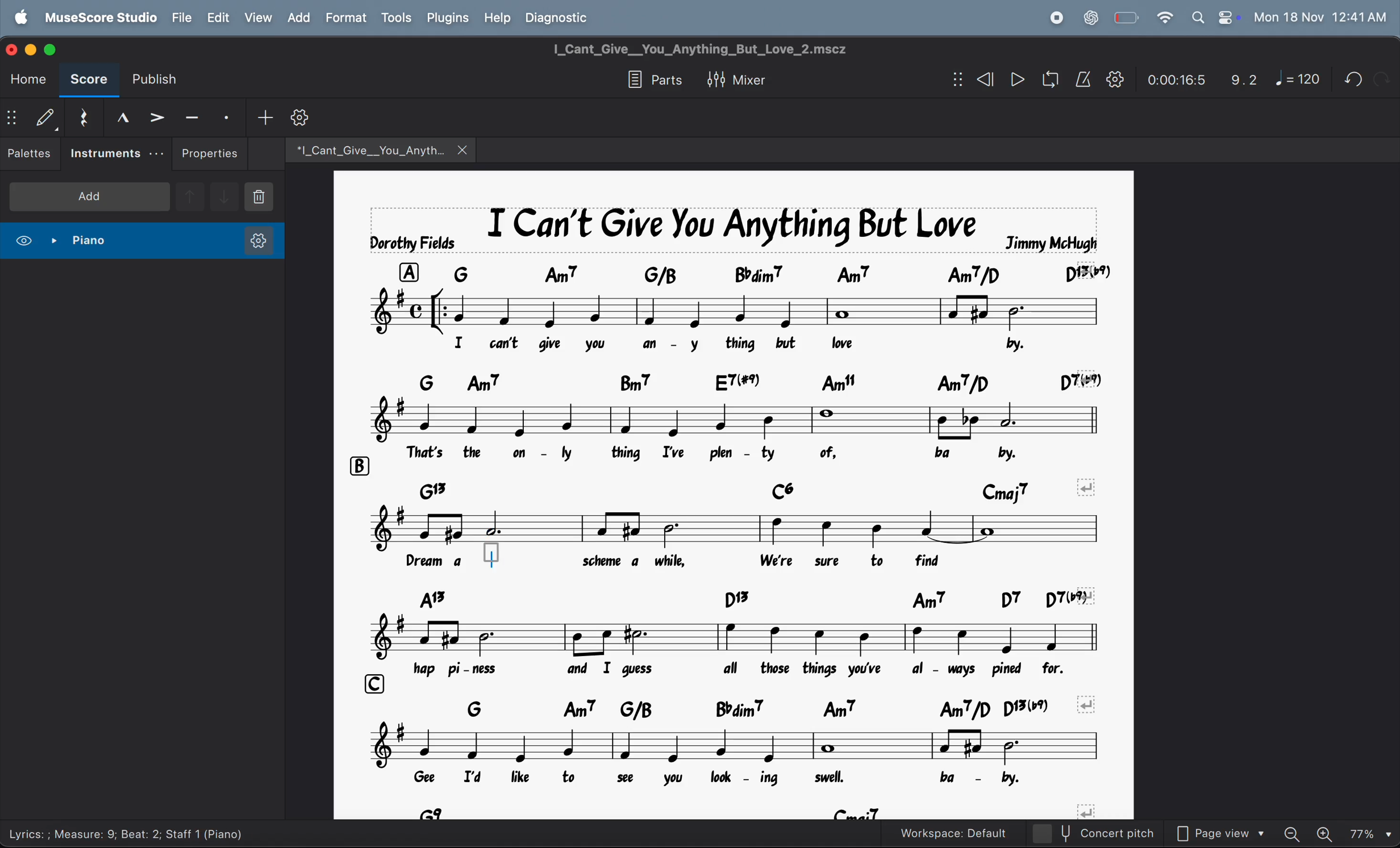 This screenshot has width=1400, height=848. What do you see at coordinates (355, 463) in the screenshot?
I see `row` at bounding box center [355, 463].